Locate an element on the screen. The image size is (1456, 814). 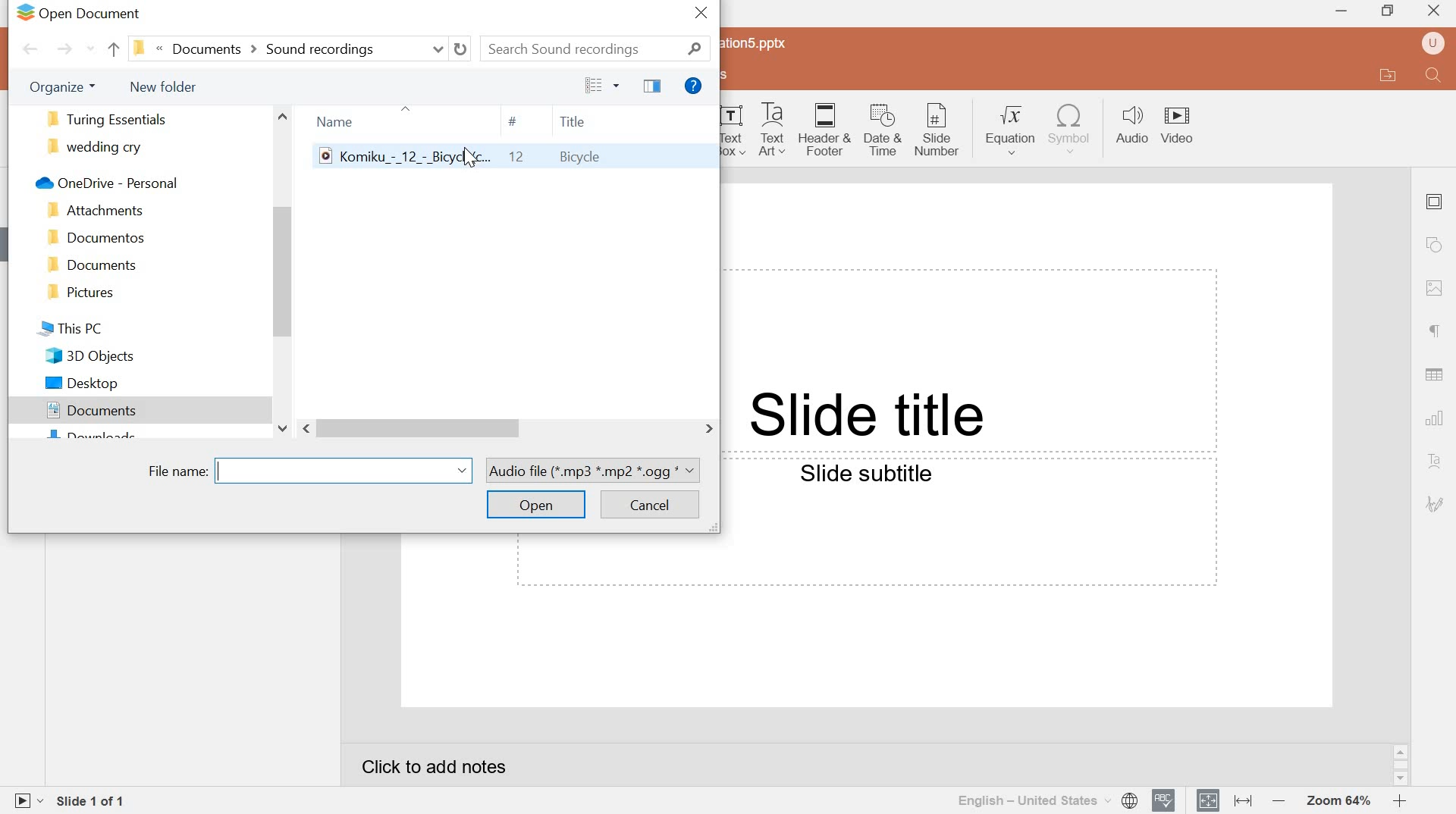
paragraph settings is located at coordinates (1430, 332).